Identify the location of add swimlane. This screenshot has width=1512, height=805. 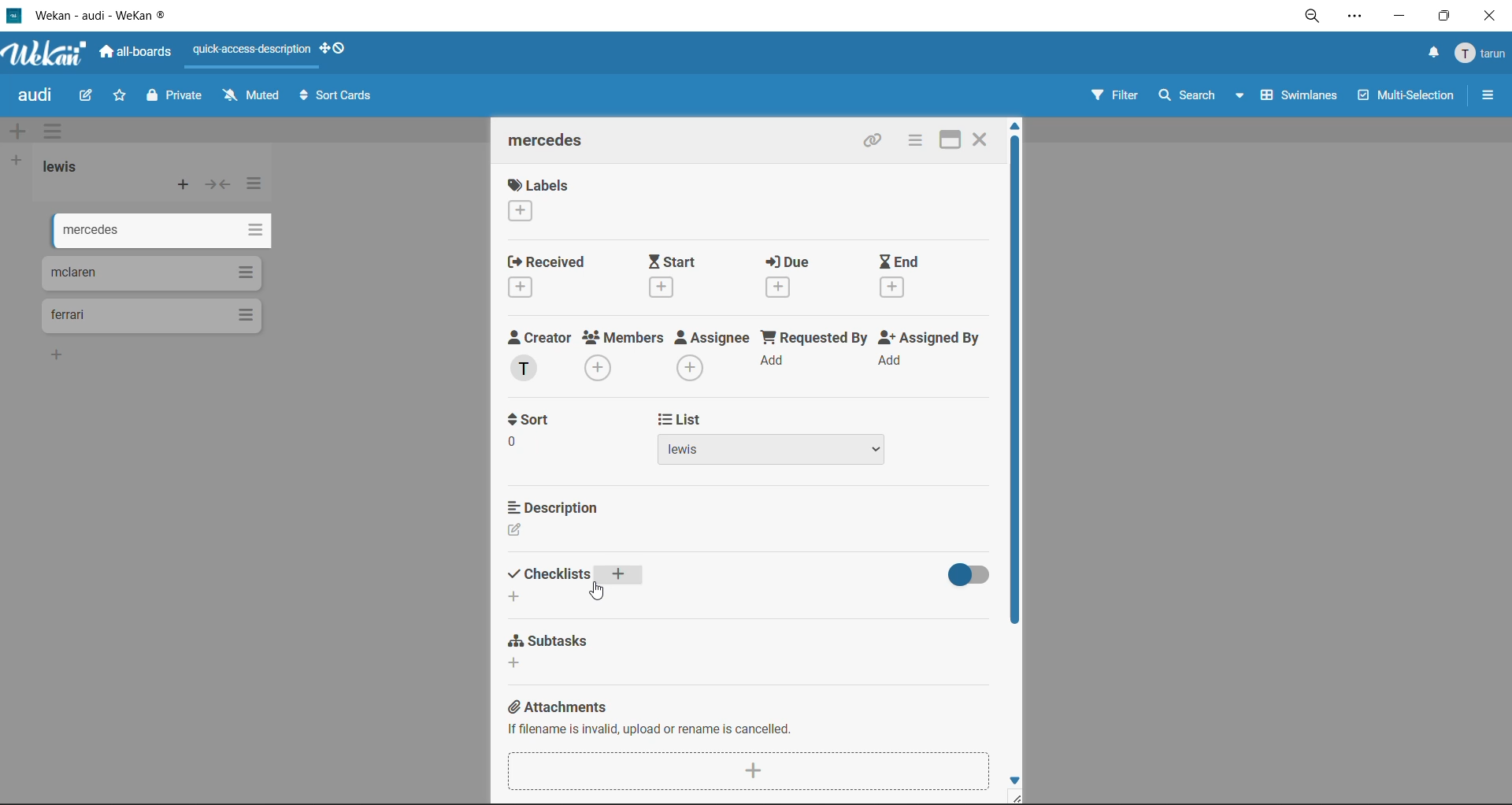
(17, 132).